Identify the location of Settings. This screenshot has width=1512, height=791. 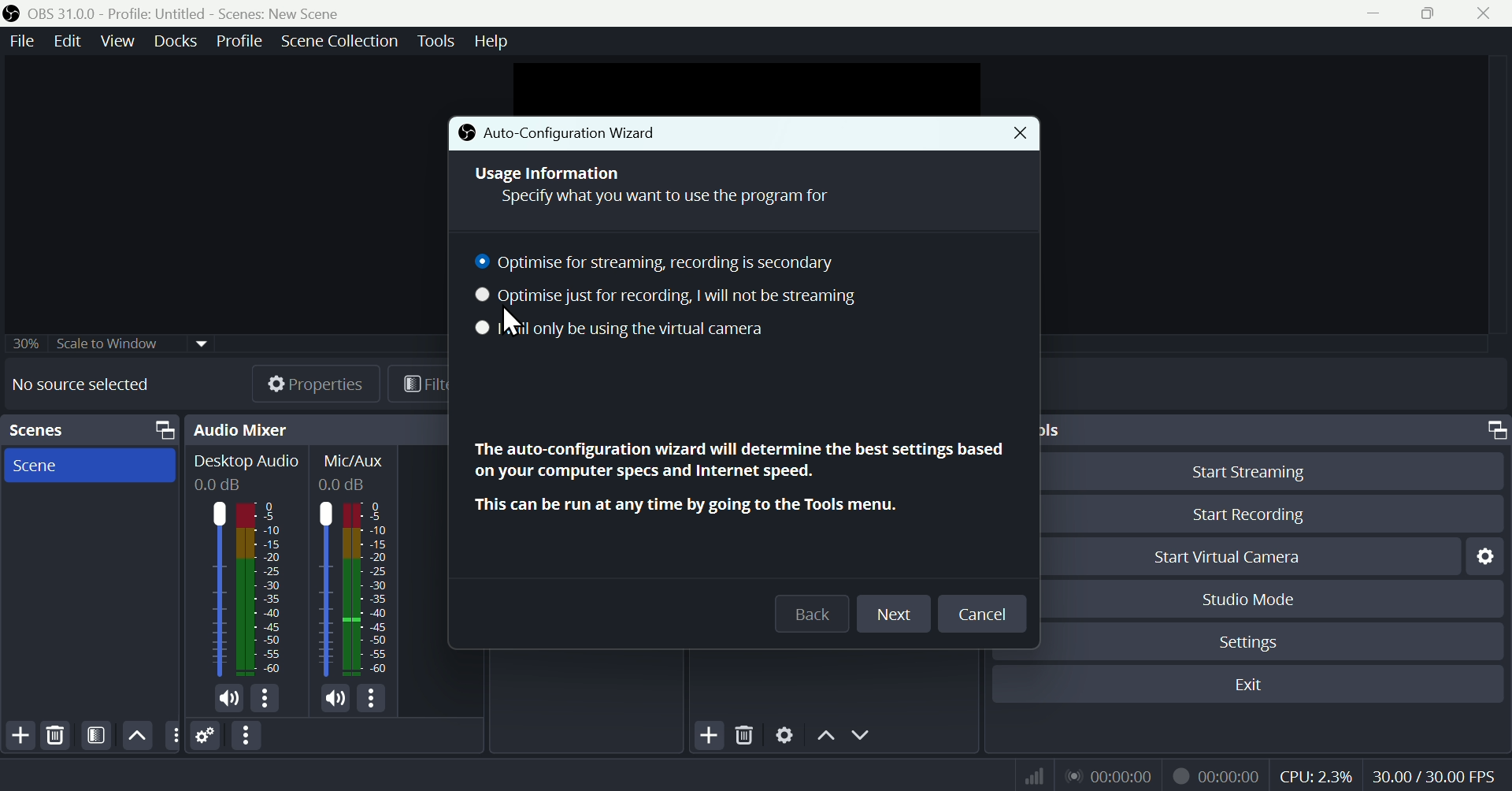
(785, 733).